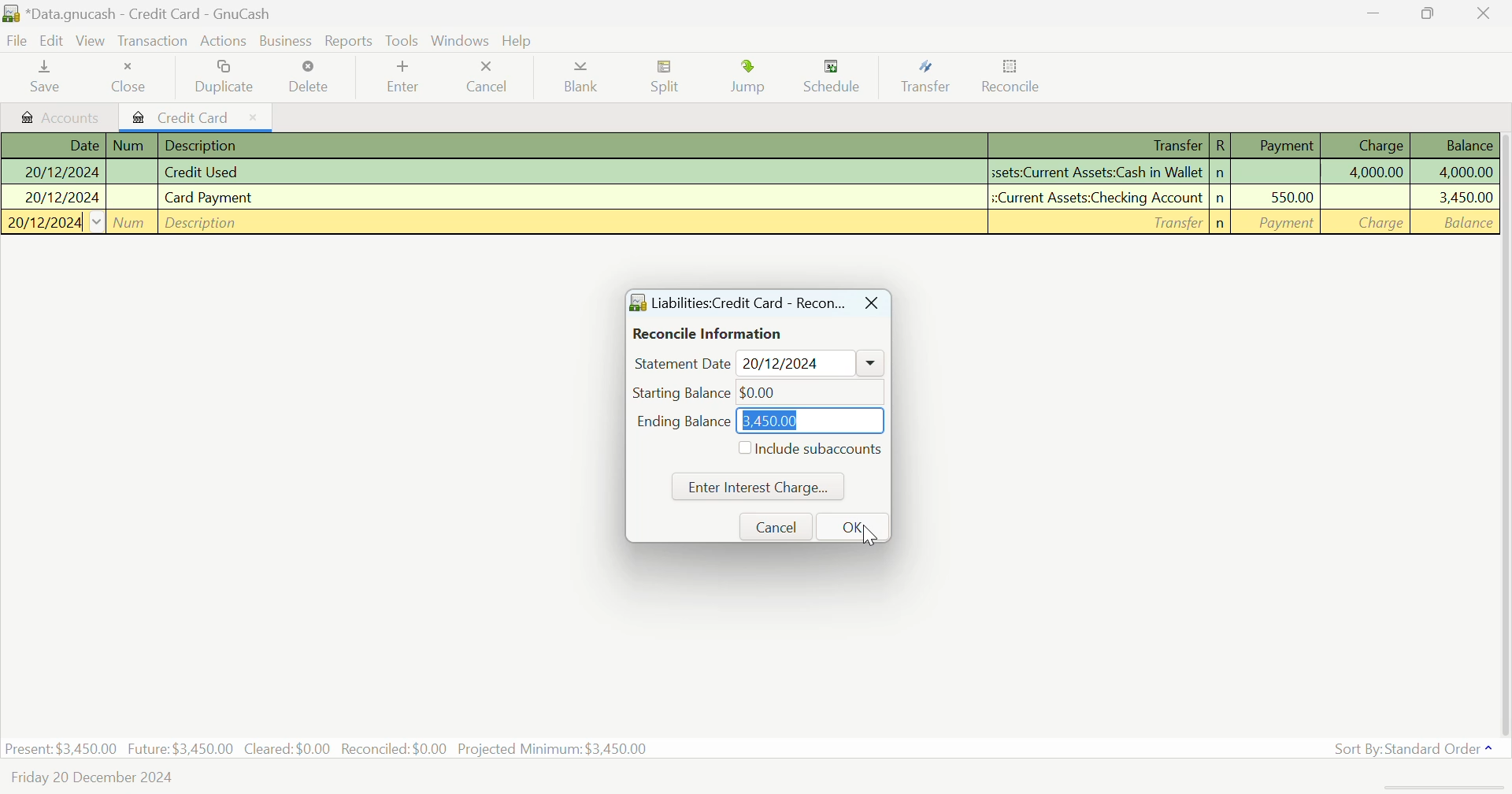 This screenshot has height=794, width=1512. I want to click on Reports, so click(350, 39).